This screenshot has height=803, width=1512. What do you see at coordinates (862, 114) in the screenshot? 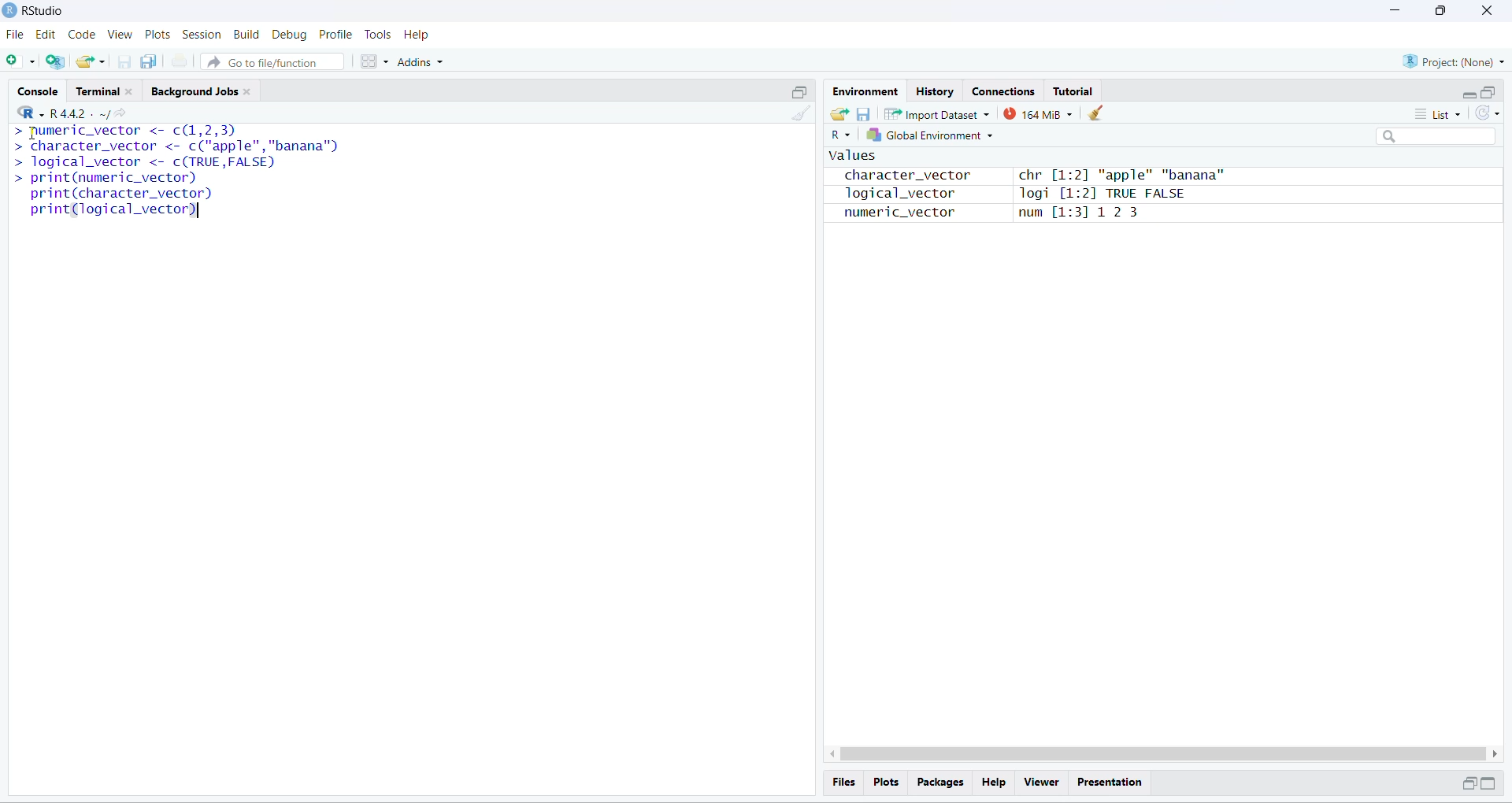
I see `save` at bounding box center [862, 114].